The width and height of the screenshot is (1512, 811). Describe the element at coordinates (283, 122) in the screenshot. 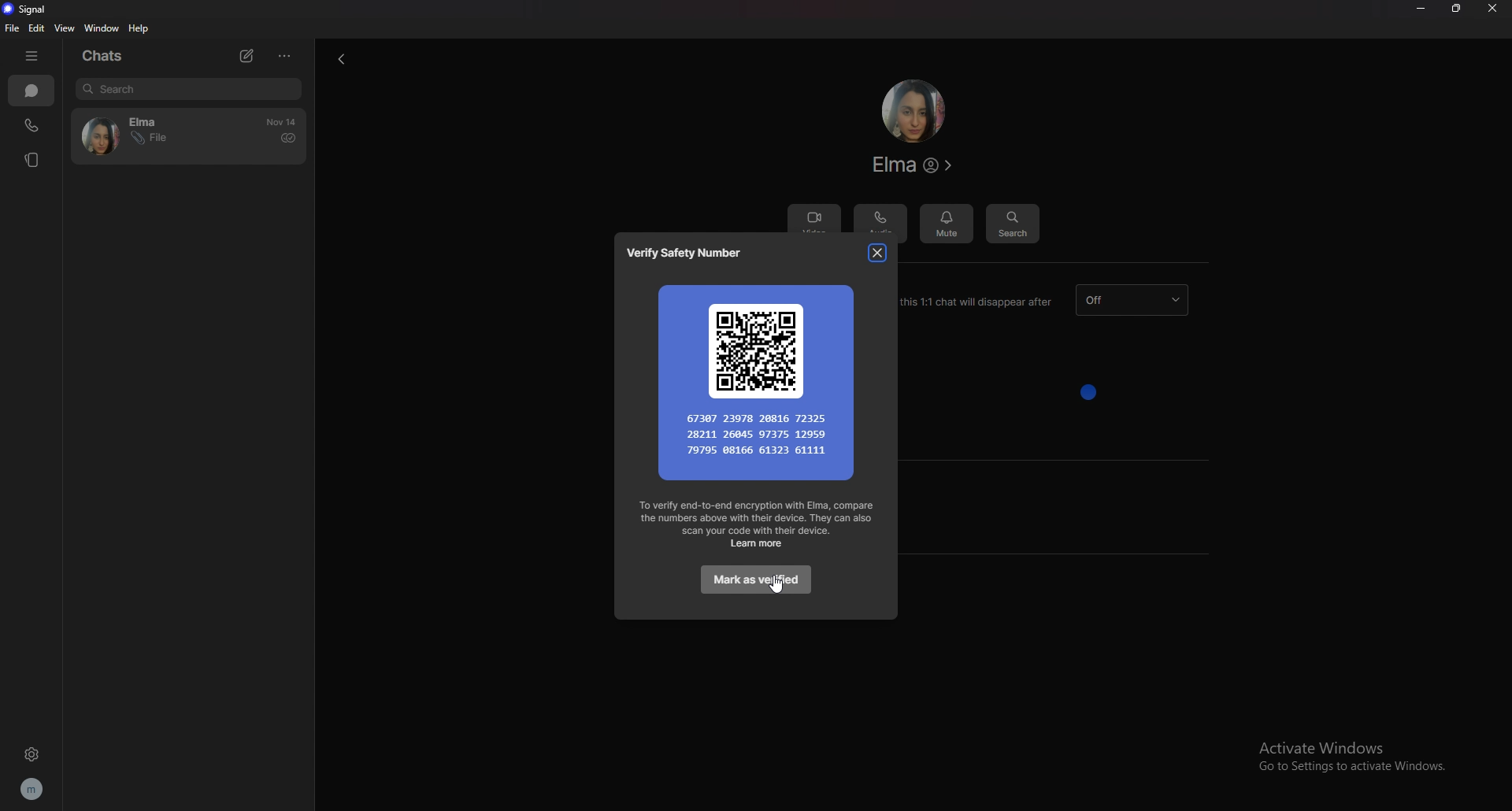

I see `date` at that location.